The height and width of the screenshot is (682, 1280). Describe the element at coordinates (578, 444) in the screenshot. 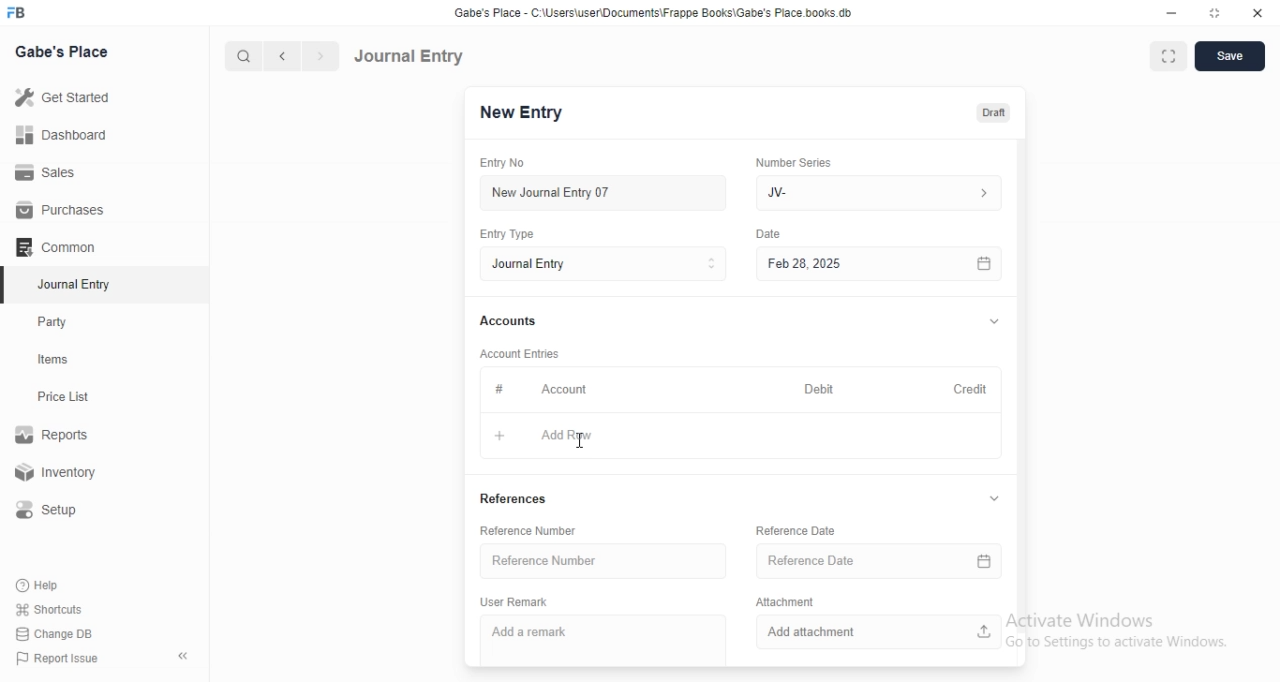

I see `cursor` at that location.